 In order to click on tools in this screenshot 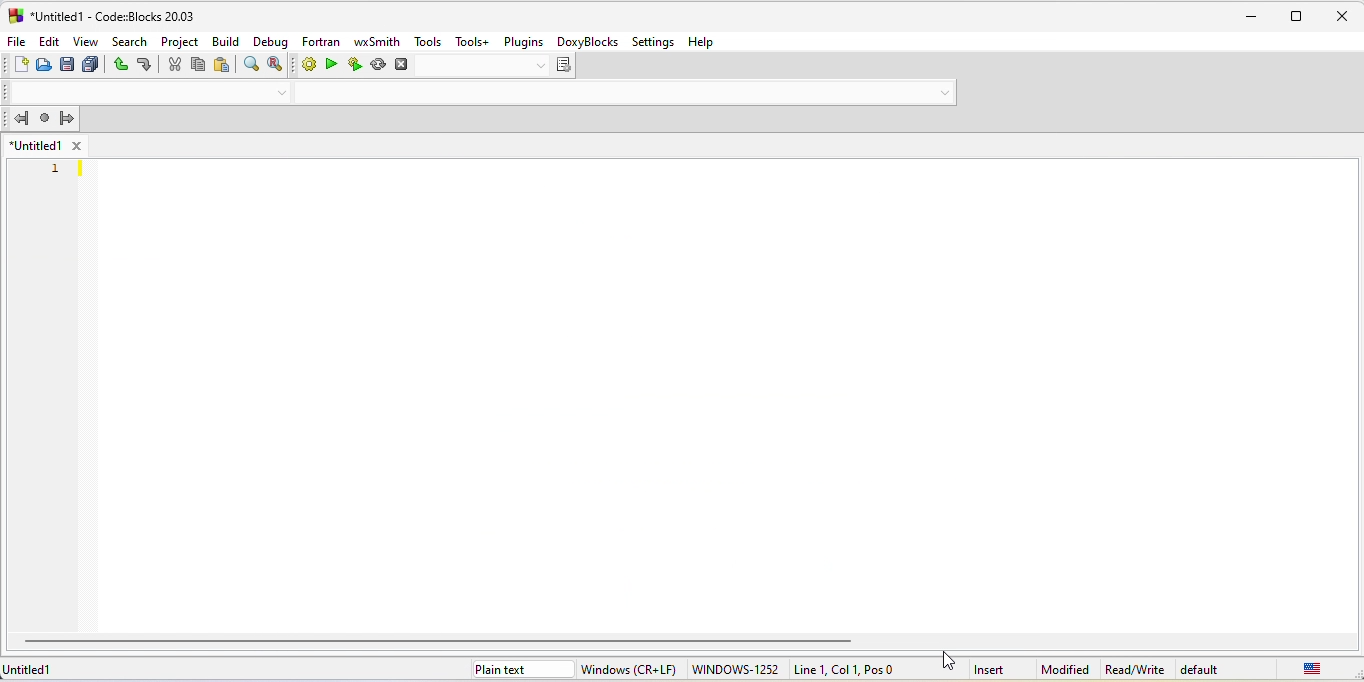, I will do `click(427, 41)`.